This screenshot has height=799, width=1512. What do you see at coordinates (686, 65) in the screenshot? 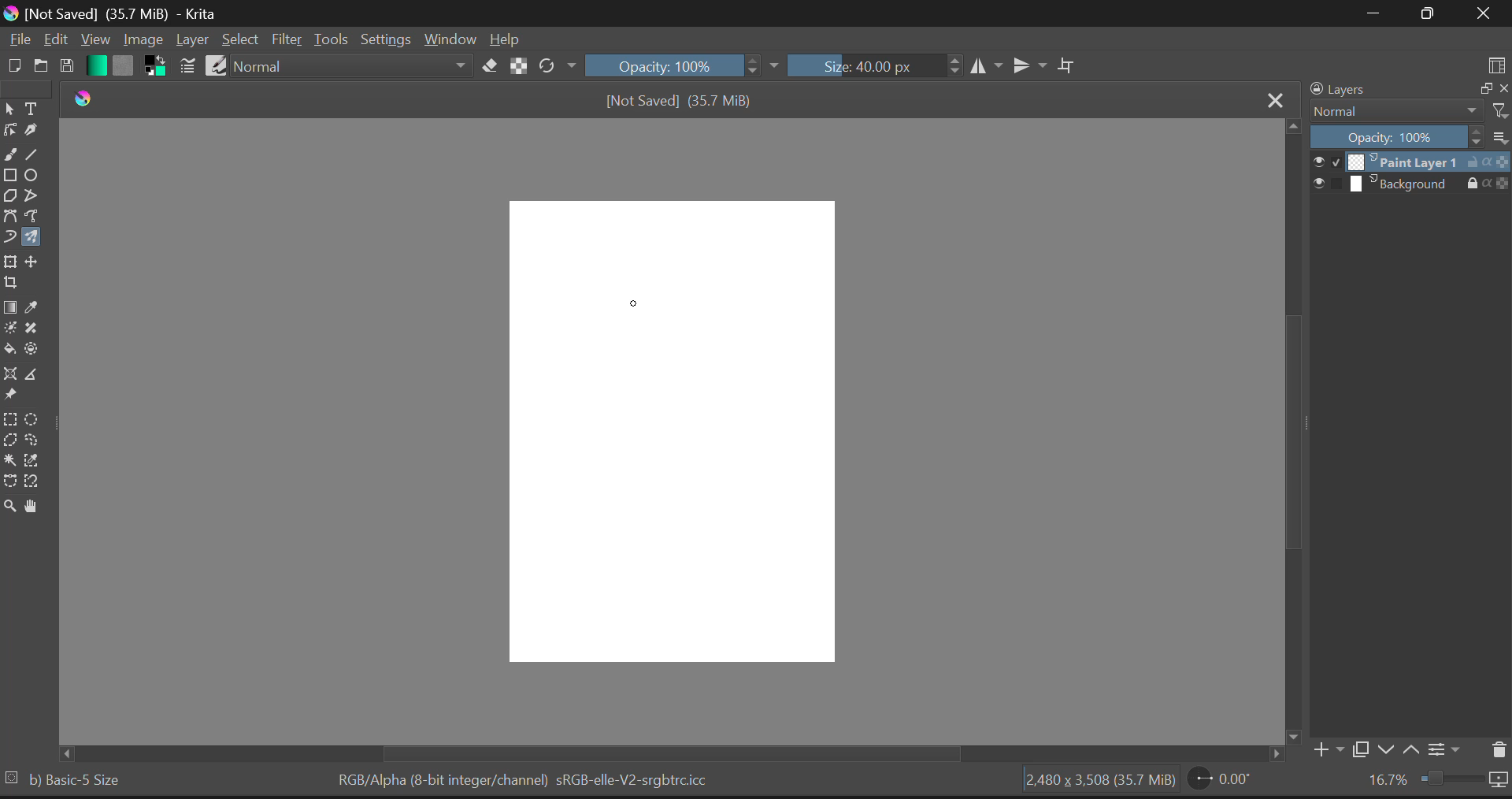
I see `Opacity 100%` at bounding box center [686, 65].